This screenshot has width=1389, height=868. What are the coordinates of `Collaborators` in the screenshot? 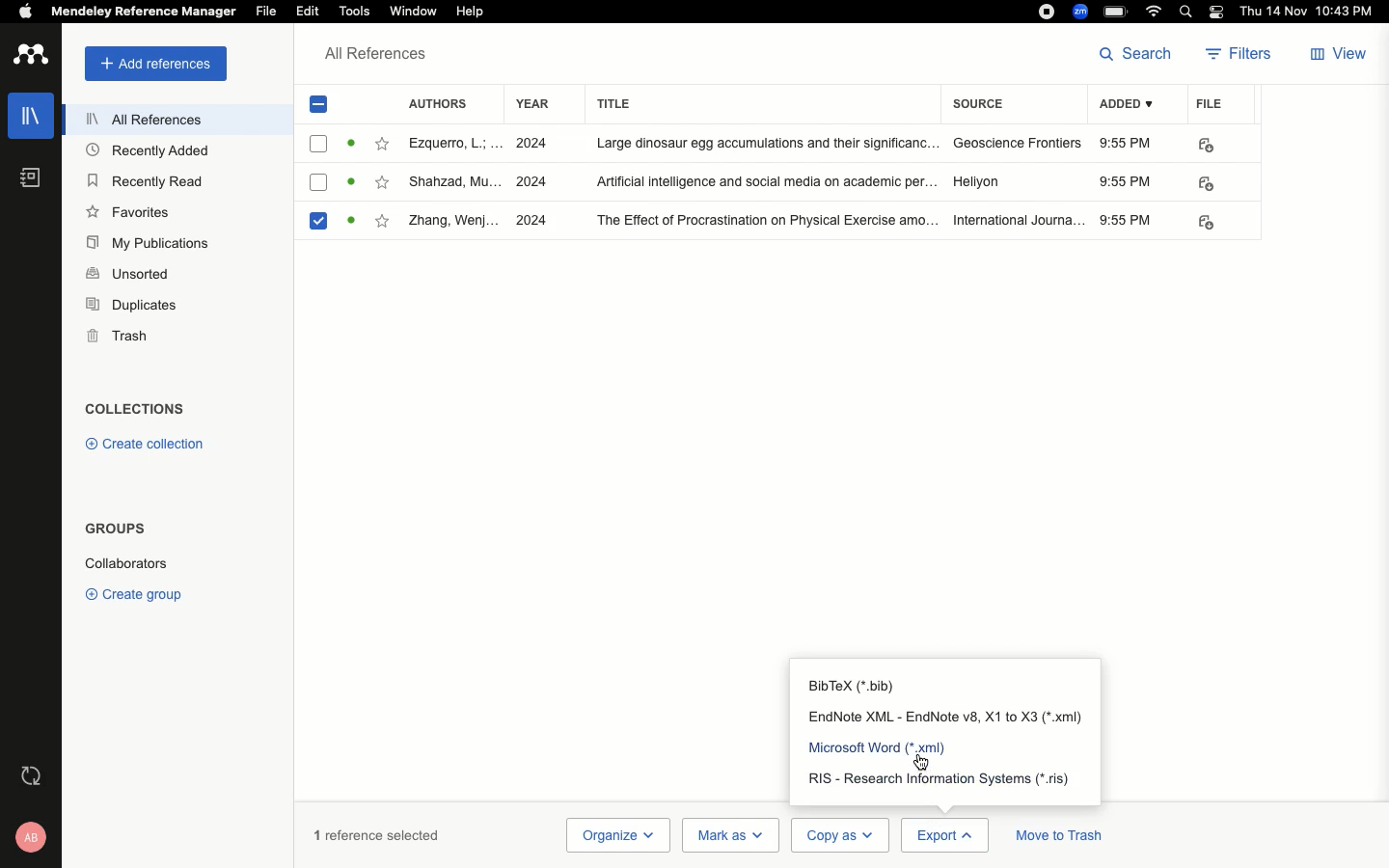 It's located at (125, 563).